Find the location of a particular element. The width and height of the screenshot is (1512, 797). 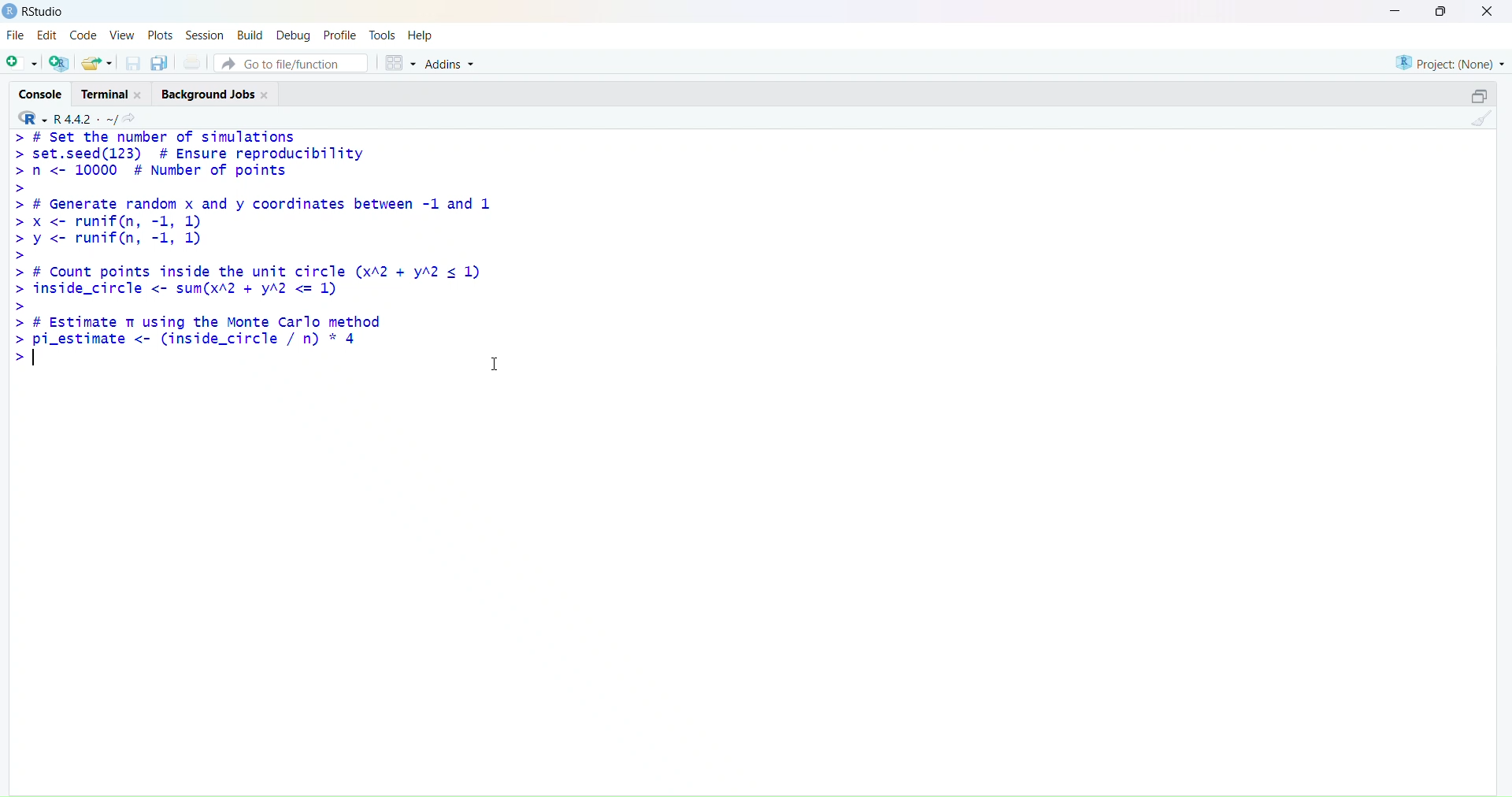

Save current document (Ctrl + S) is located at coordinates (131, 61).